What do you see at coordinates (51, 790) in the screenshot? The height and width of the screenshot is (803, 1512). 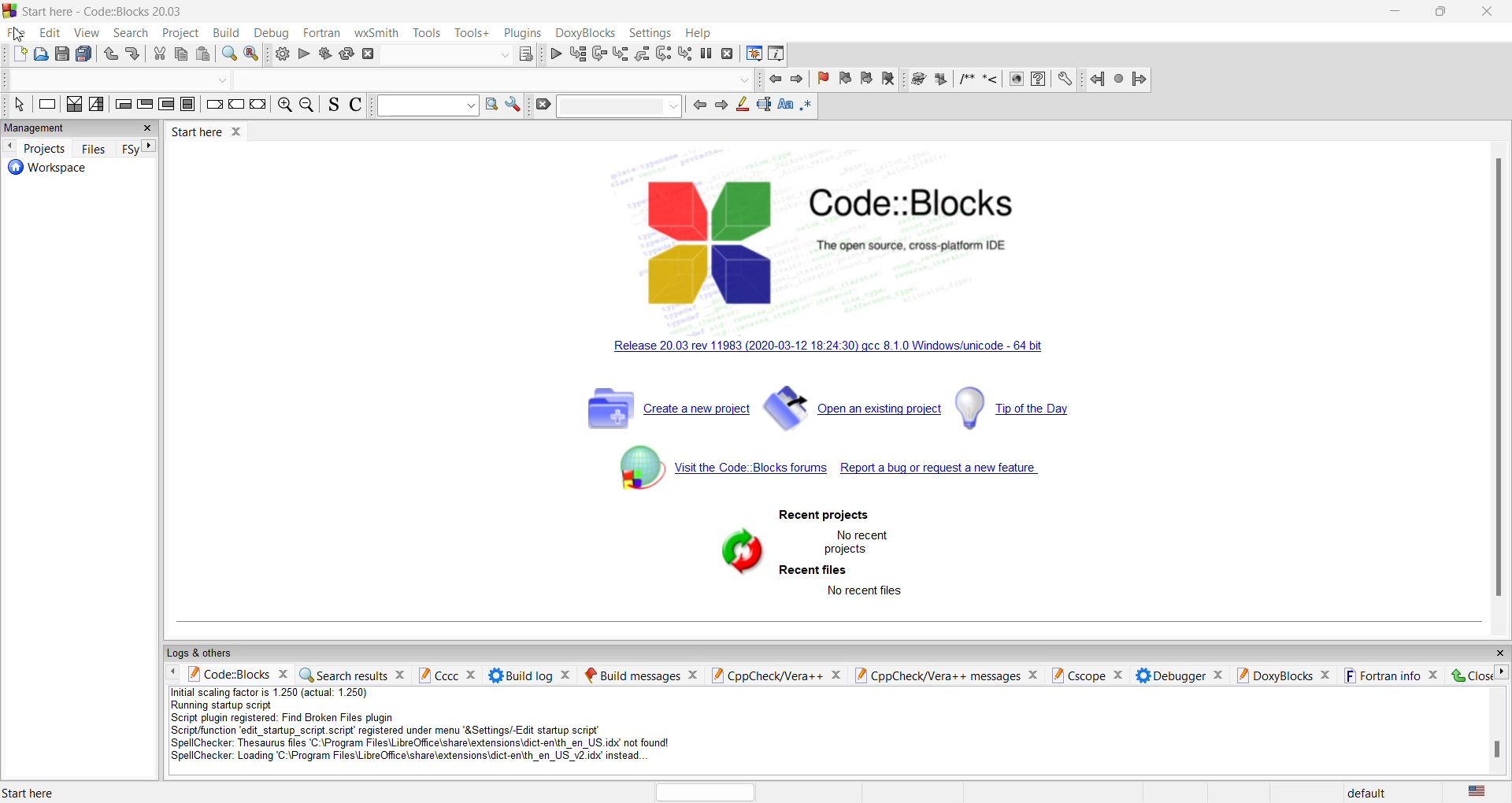 I see `start here` at bounding box center [51, 790].